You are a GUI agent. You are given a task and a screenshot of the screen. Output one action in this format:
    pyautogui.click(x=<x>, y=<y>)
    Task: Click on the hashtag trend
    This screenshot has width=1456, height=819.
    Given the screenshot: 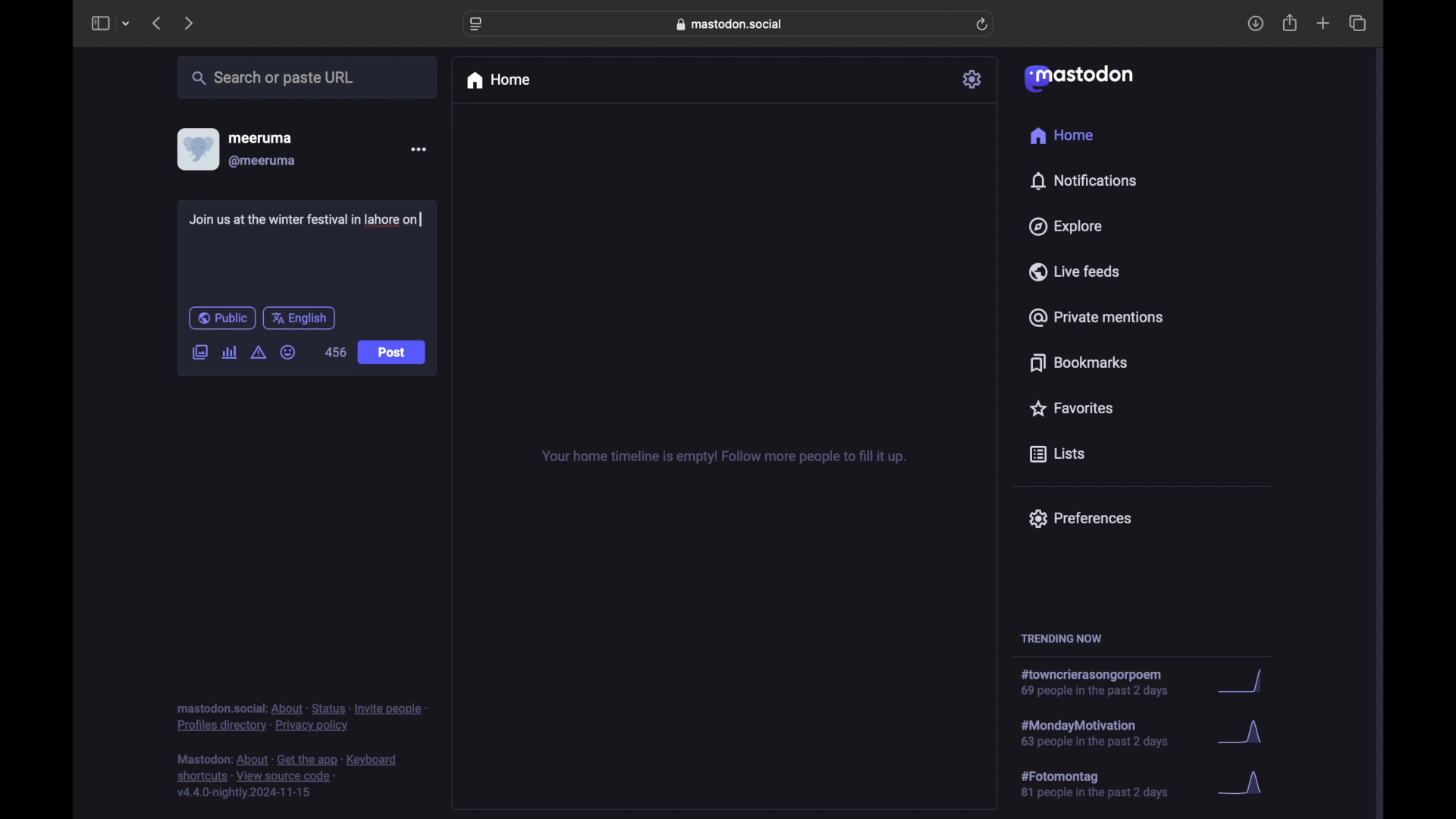 What is the action you would take?
    pyautogui.click(x=1105, y=785)
    